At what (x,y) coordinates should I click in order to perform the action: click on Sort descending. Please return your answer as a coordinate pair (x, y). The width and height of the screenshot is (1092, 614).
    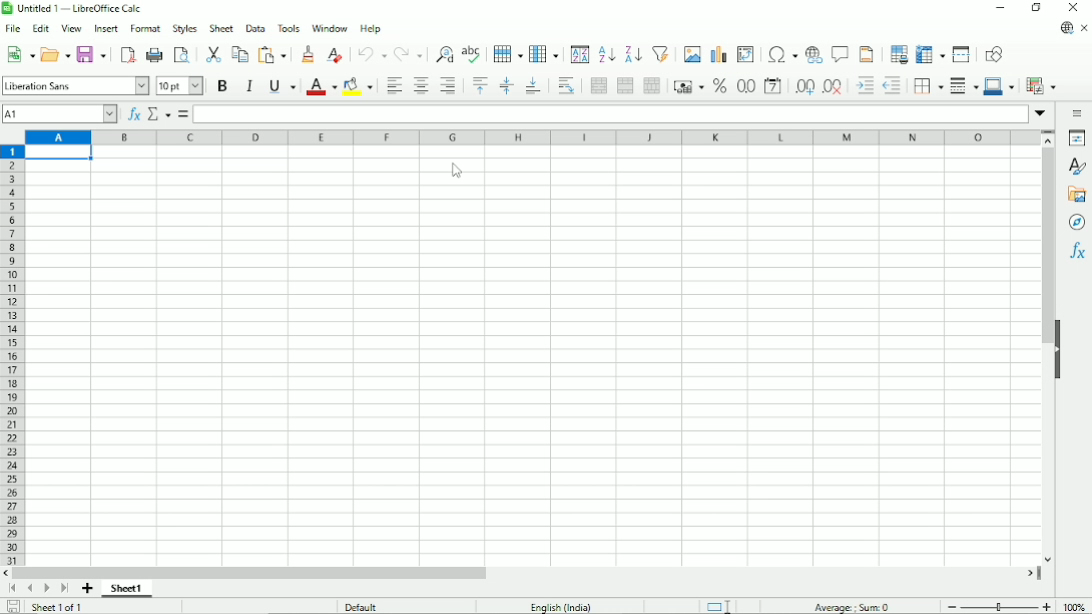
    Looking at the image, I should click on (631, 53).